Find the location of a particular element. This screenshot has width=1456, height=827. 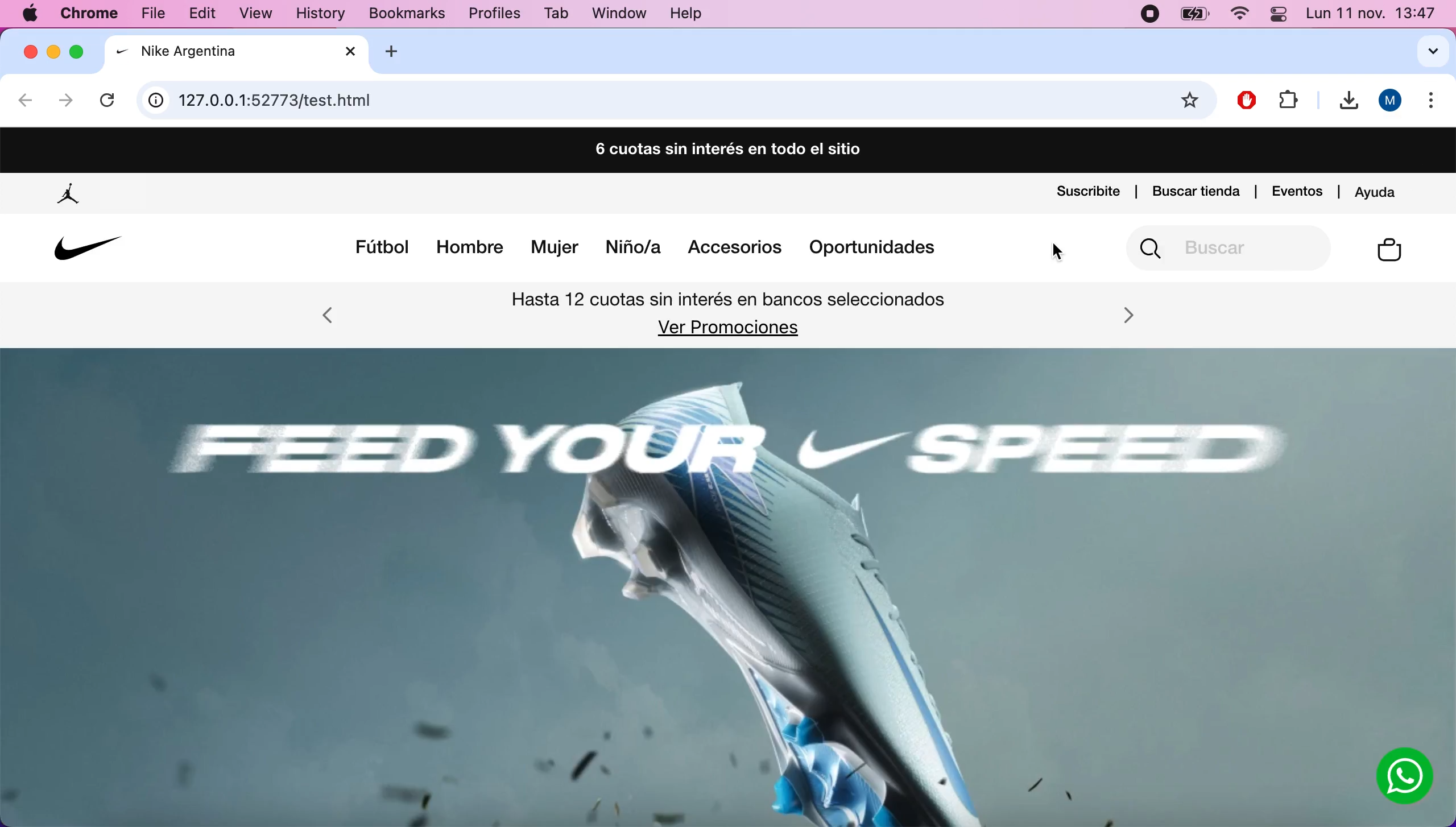

customize and control google chrome is located at coordinates (1435, 104).